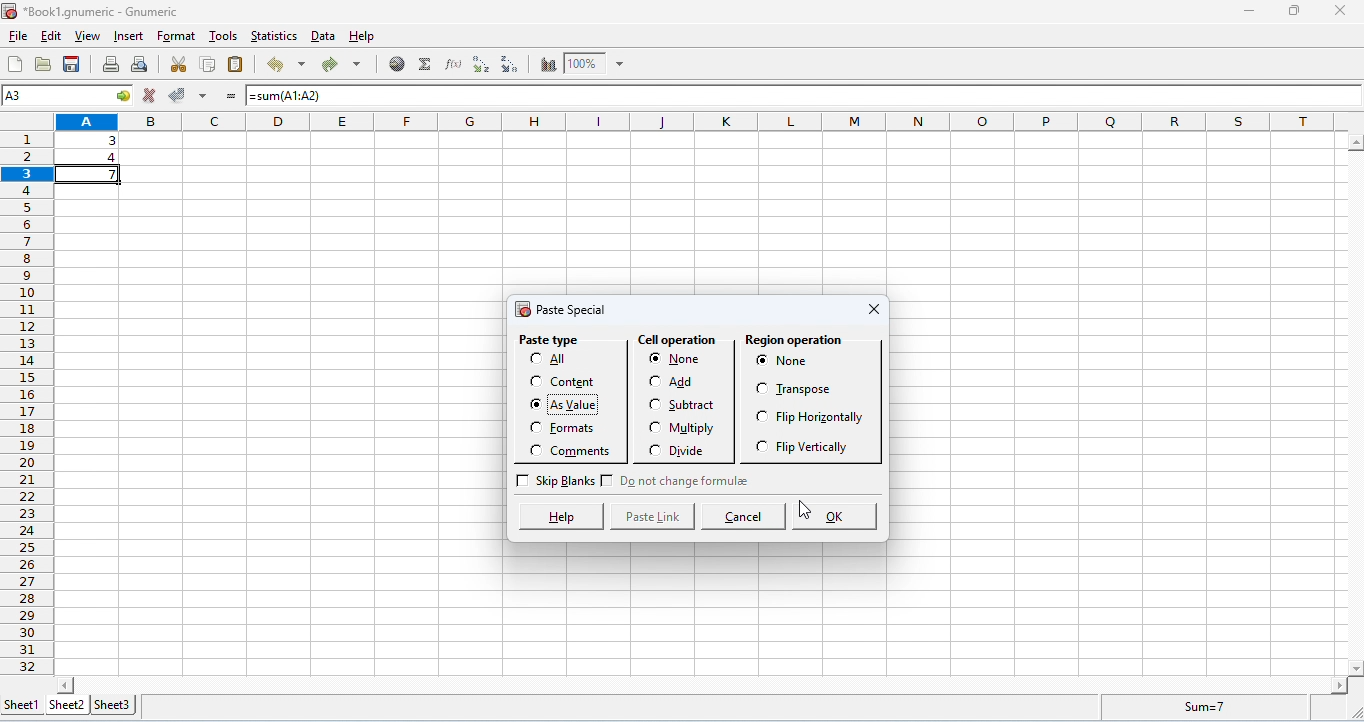 This screenshot has width=1364, height=722. I want to click on Checkbox, so click(520, 481).